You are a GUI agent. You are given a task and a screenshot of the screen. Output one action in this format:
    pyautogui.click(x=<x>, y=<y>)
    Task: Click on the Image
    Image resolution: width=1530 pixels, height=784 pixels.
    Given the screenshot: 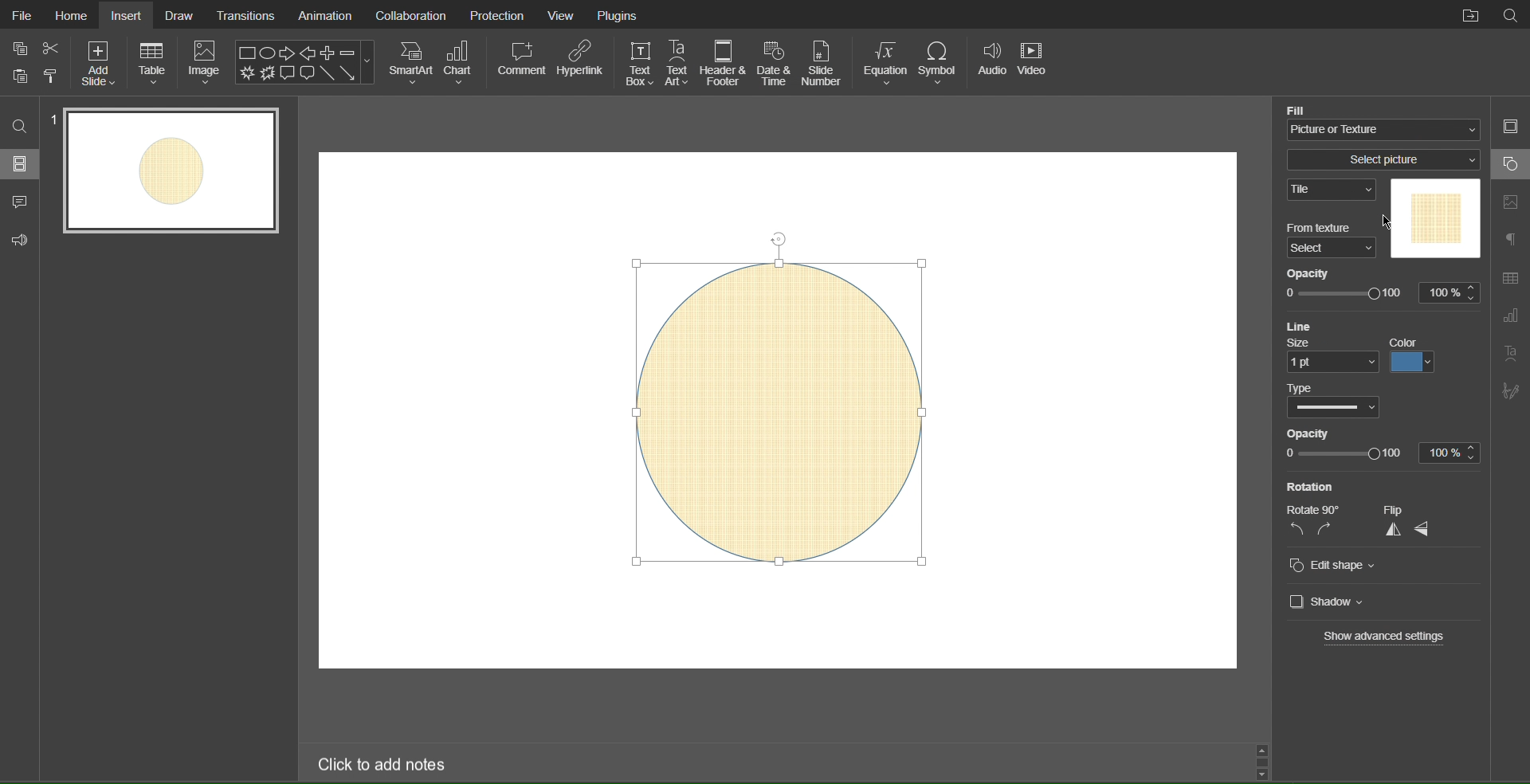 What is the action you would take?
    pyautogui.click(x=209, y=64)
    